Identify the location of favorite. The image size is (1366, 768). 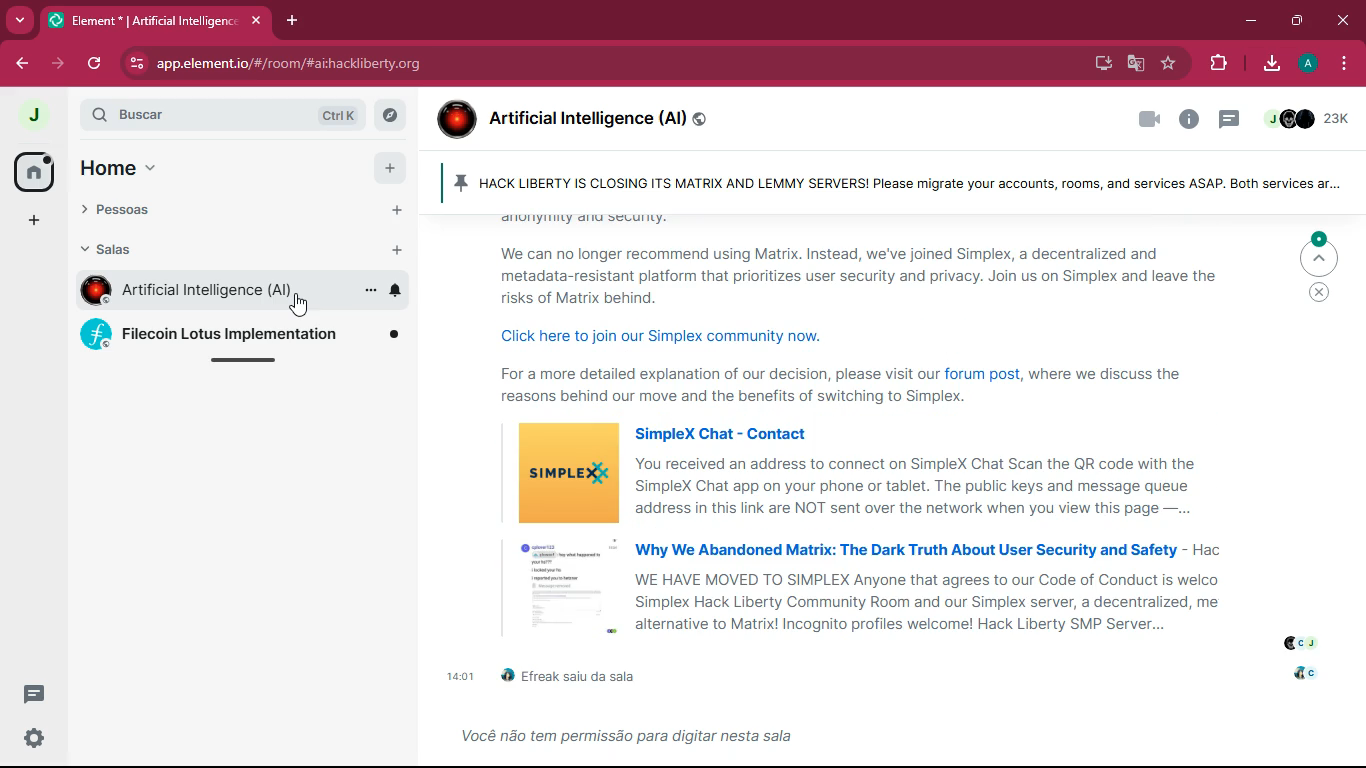
(1168, 65).